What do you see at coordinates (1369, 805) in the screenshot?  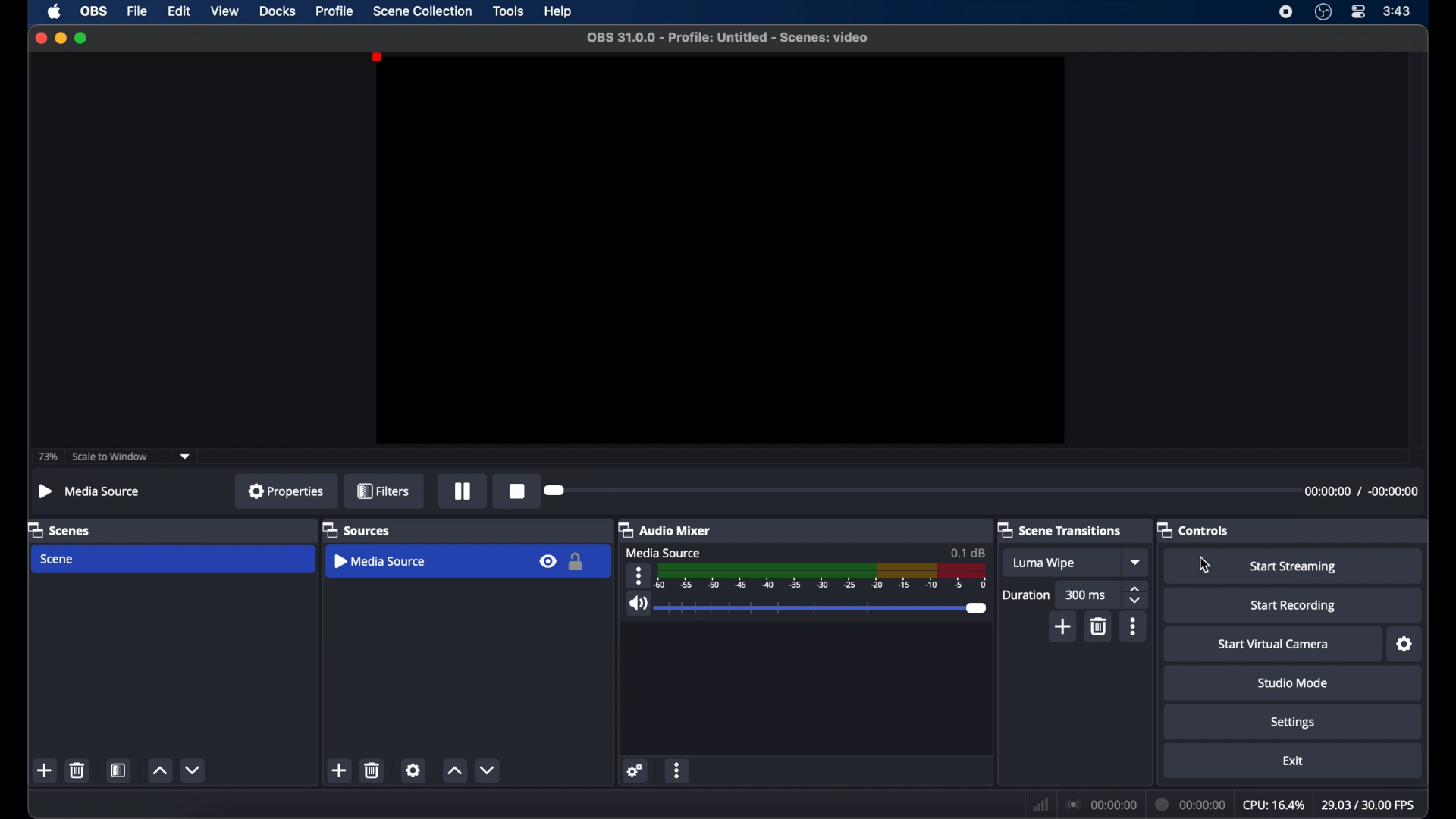 I see `29.03/30.00 fps` at bounding box center [1369, 805].